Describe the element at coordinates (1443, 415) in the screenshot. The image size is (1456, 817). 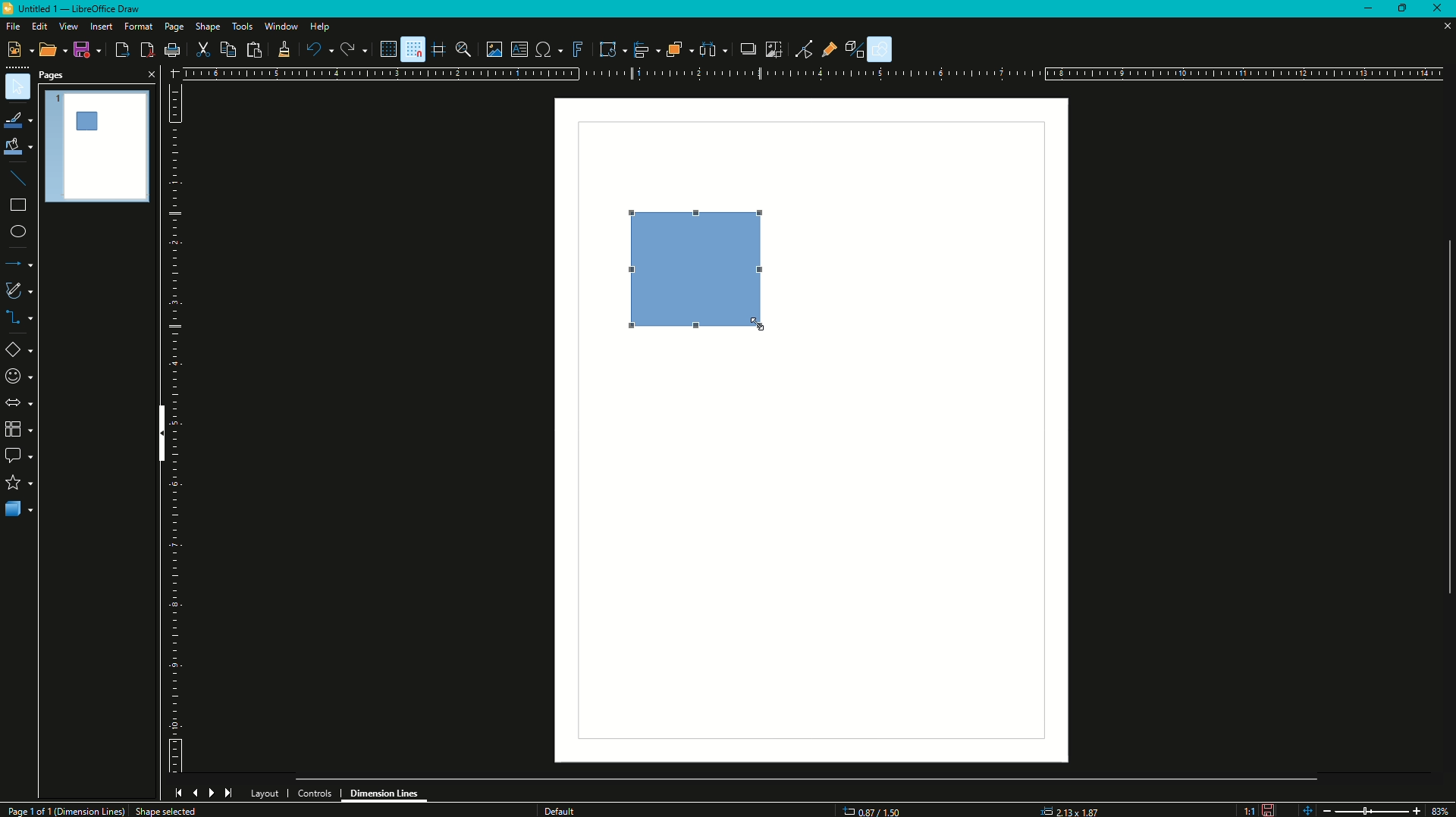
I see `Scroll` at that location.